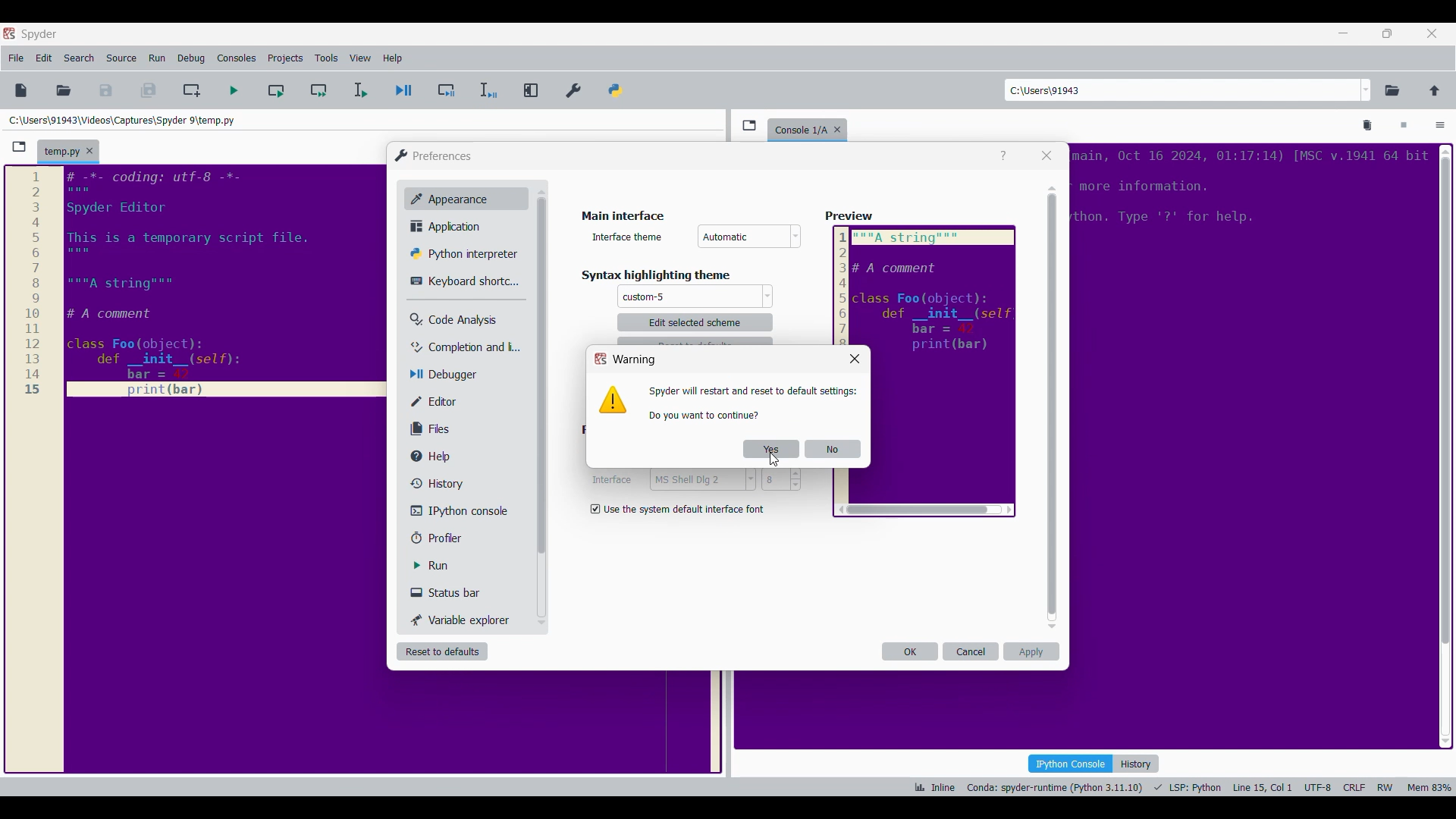  What do you see at coordinates (1384, 786) in the screenshot?
I see `RW` at bounding box center [1384, 786].